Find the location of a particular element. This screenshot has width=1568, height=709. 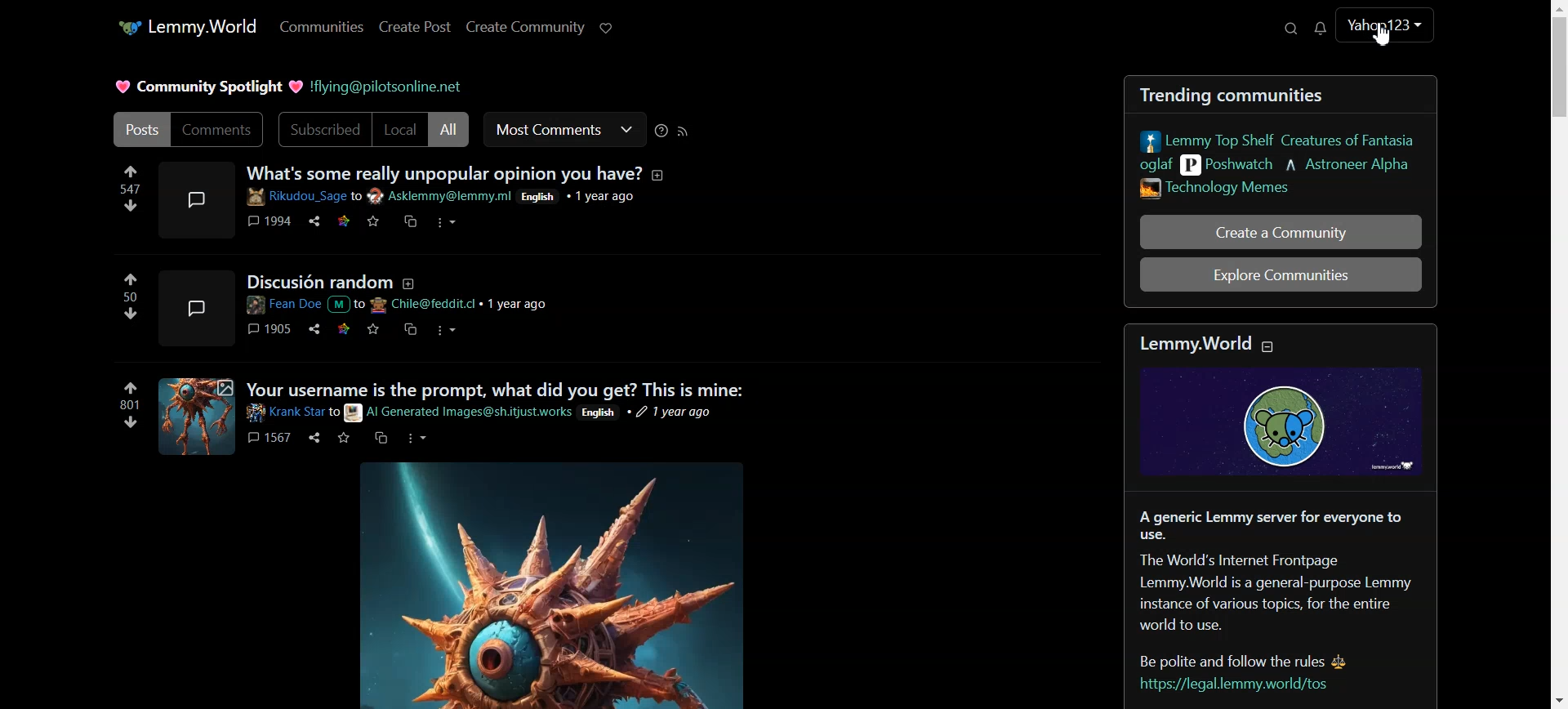

Explore Communities is located at coordinates (1281, 274).